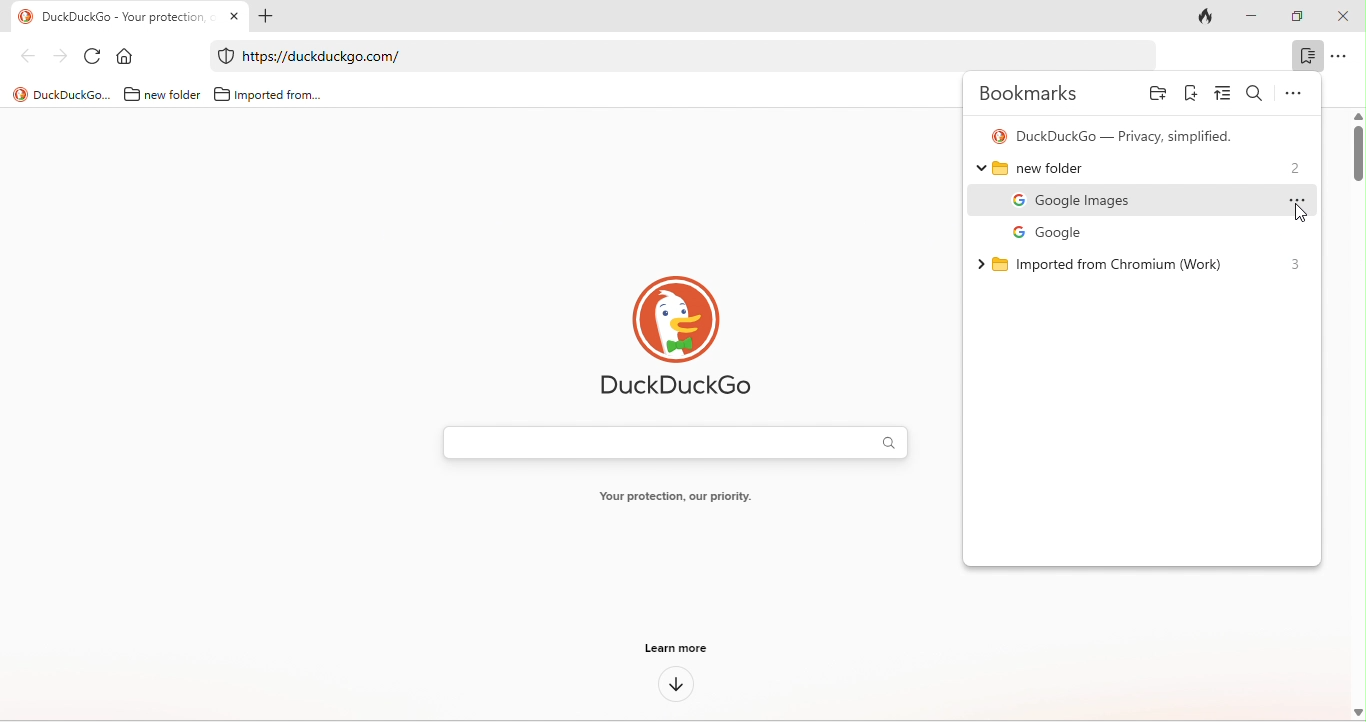  Describe the element at coordinates (1220, 95) in the screenshot. I see `sort bookmark` at that location.